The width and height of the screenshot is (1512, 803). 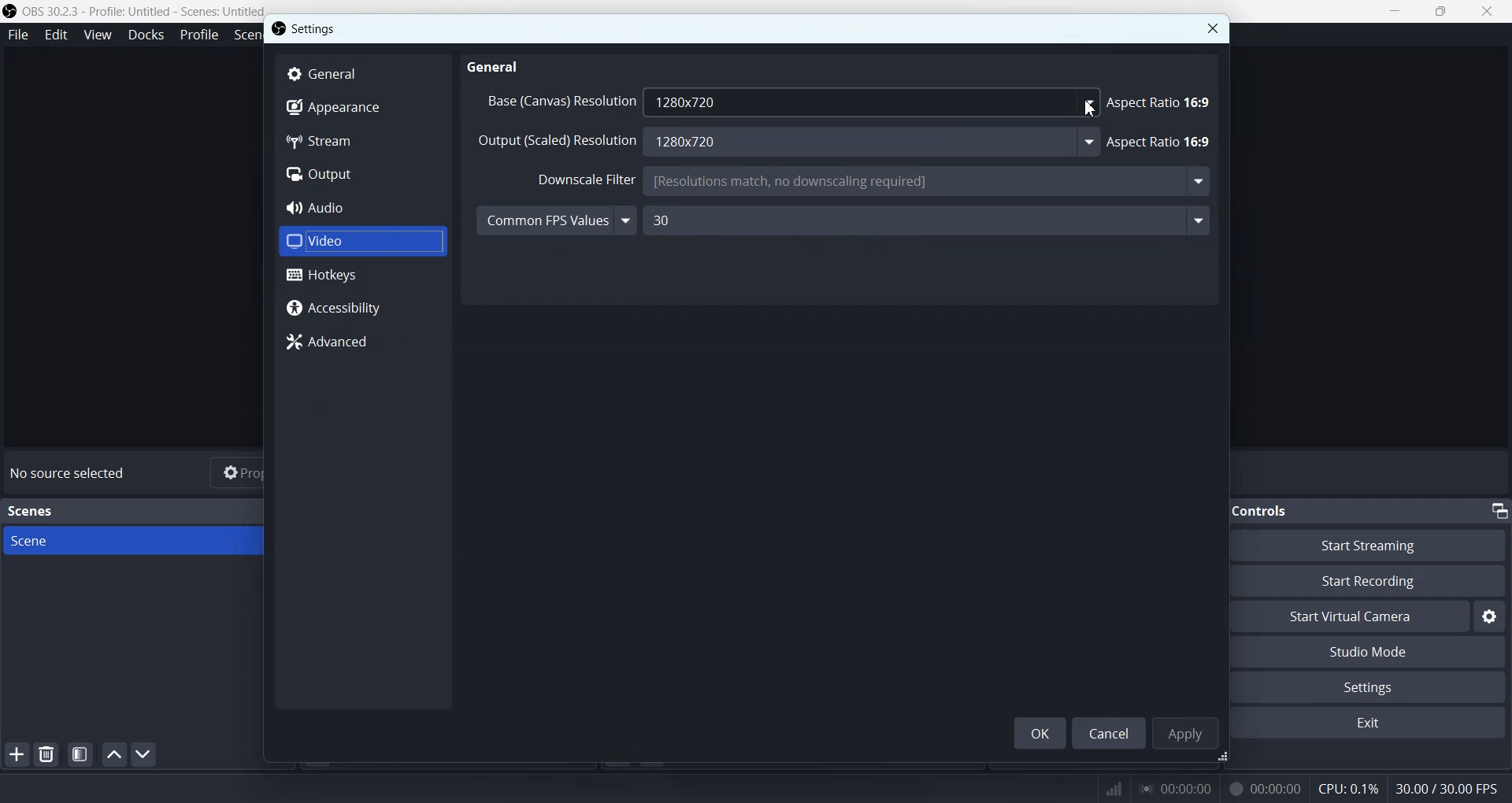 I want to click on Maximize, so click(x=1441, y=10).